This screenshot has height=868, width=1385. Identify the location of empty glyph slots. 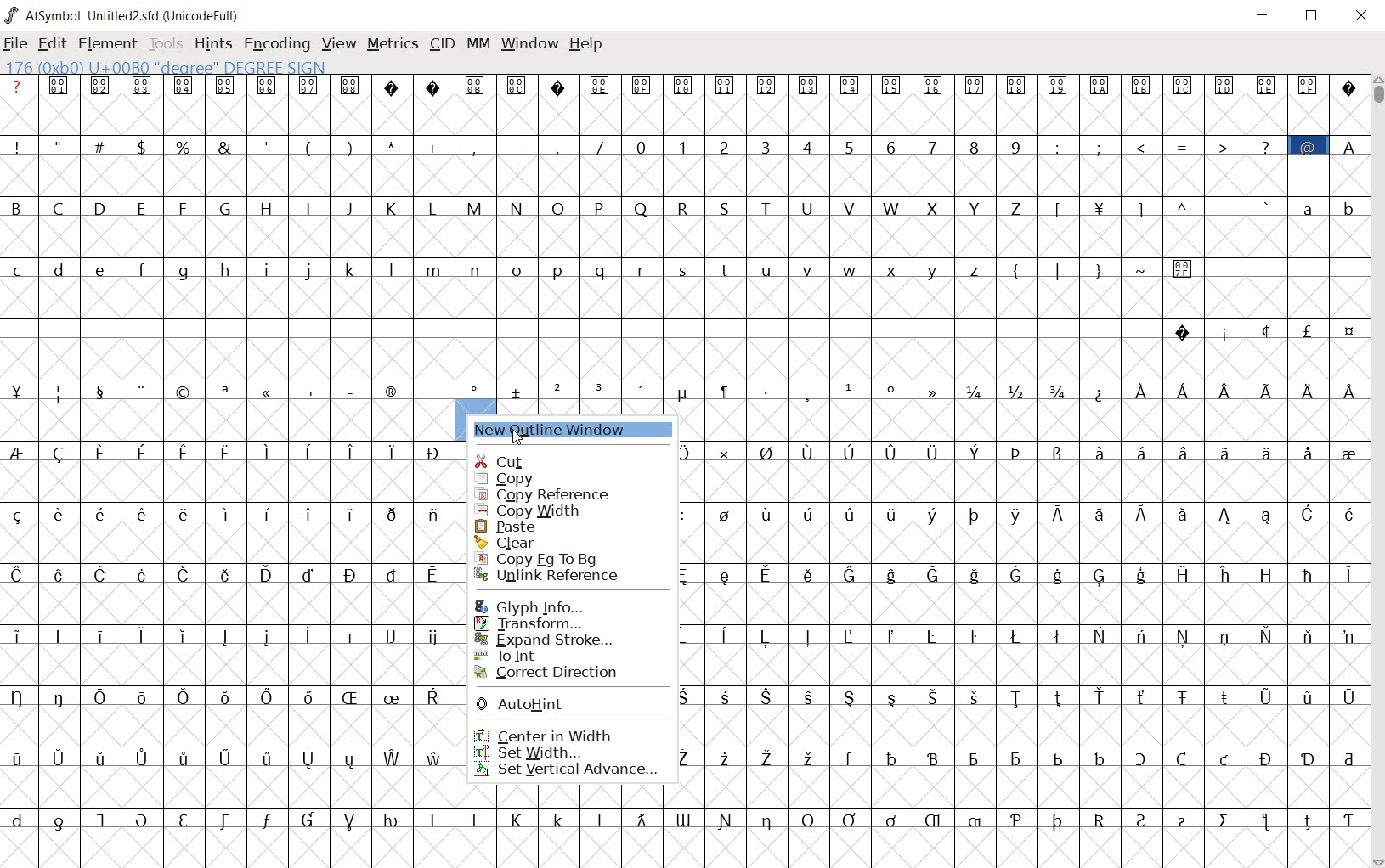
(684, 360).